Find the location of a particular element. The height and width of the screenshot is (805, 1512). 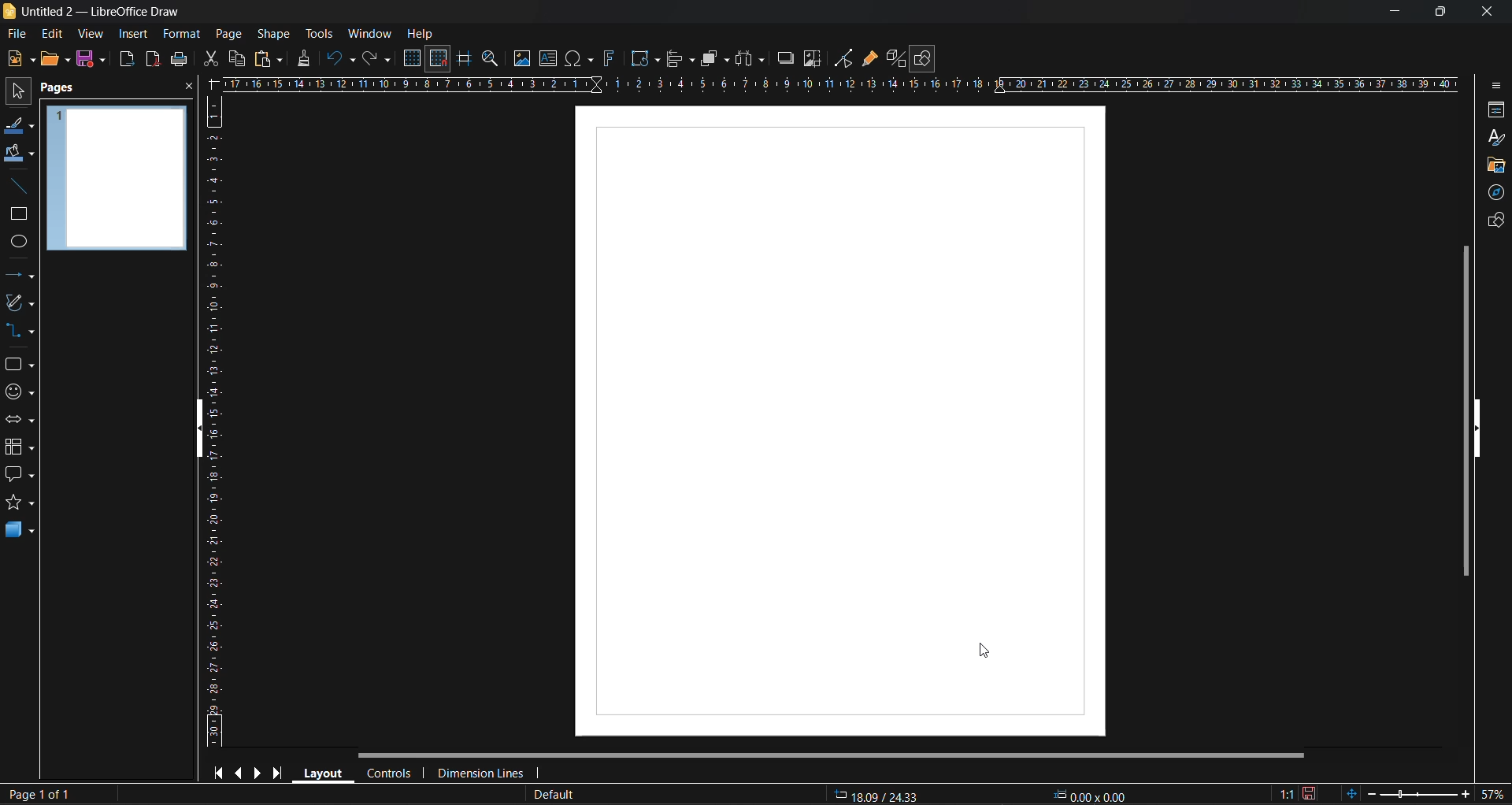

lines and arrows is located at coordinates (20, 276).